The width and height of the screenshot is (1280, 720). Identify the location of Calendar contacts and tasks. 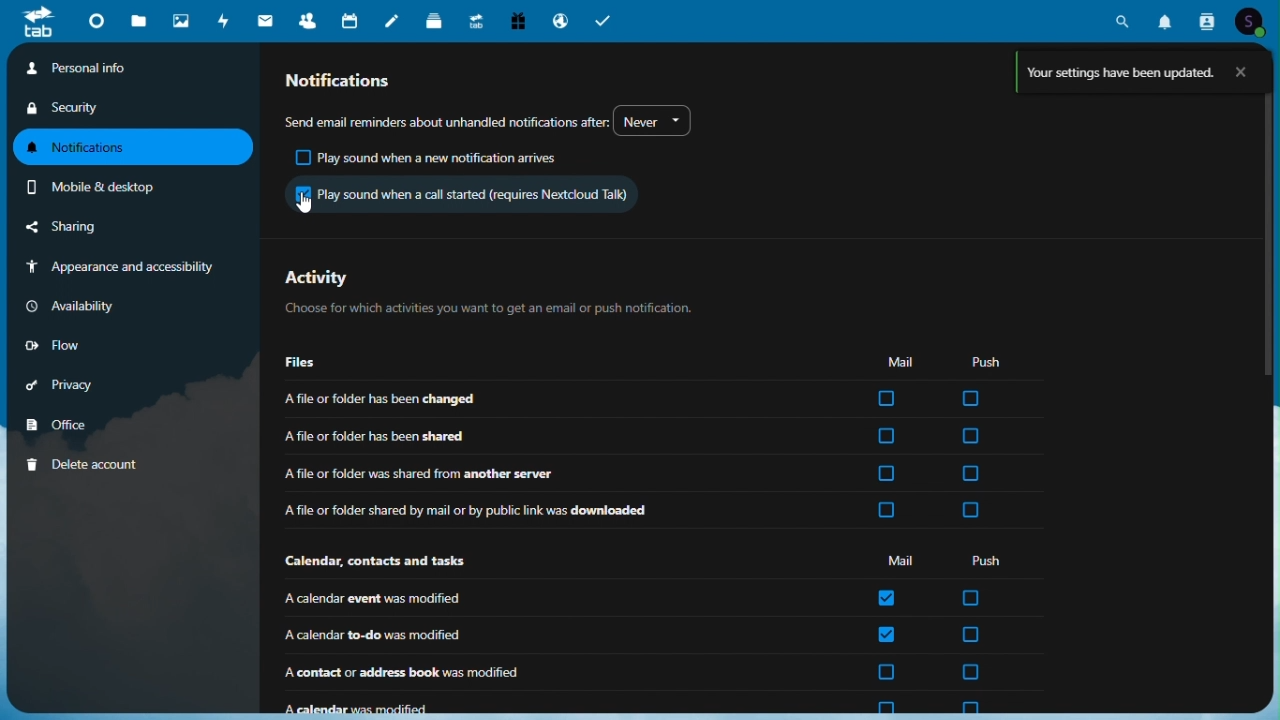
(379, 562).